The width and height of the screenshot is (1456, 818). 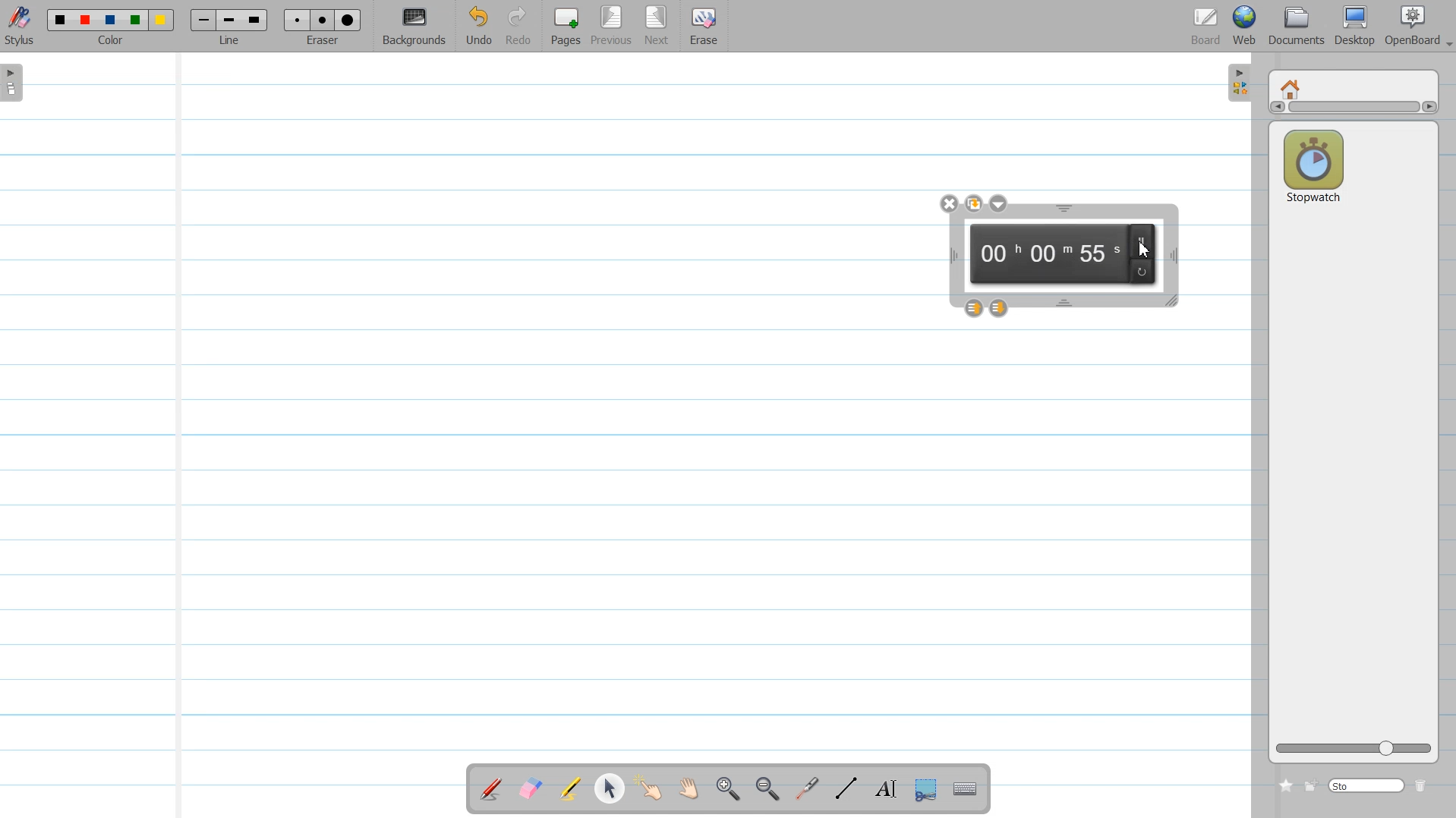 I want to click on Time width adjustment window, so click(x=1173, y=256).